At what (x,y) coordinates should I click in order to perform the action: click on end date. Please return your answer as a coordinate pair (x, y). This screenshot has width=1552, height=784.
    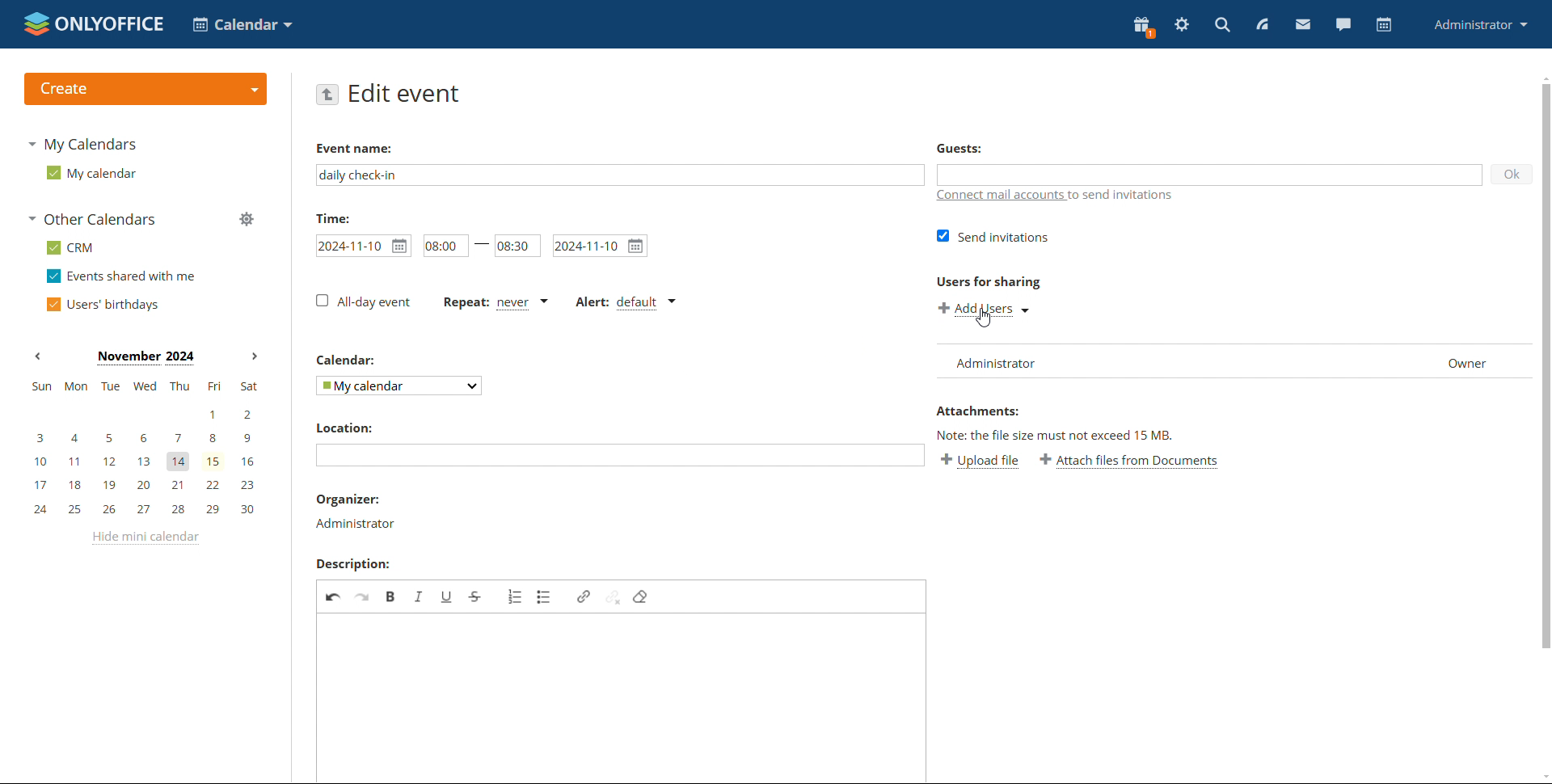
    Looking at the image, I should click on (601, 245).